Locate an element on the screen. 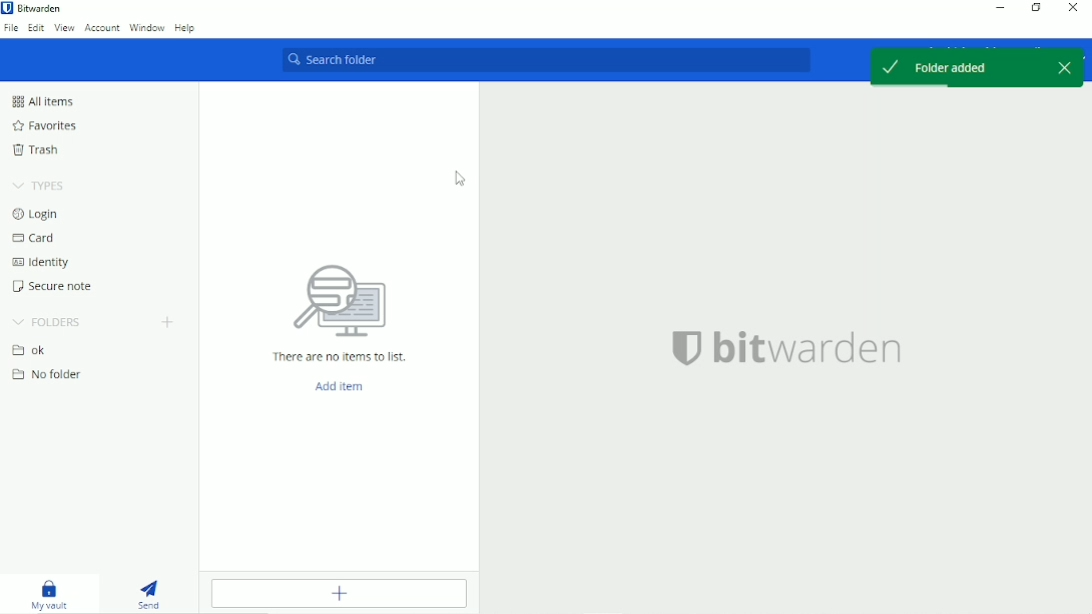 Image resolution: width=1092 pixels, height=614 pixels. Restore down is located at coordinates (1036, 8).